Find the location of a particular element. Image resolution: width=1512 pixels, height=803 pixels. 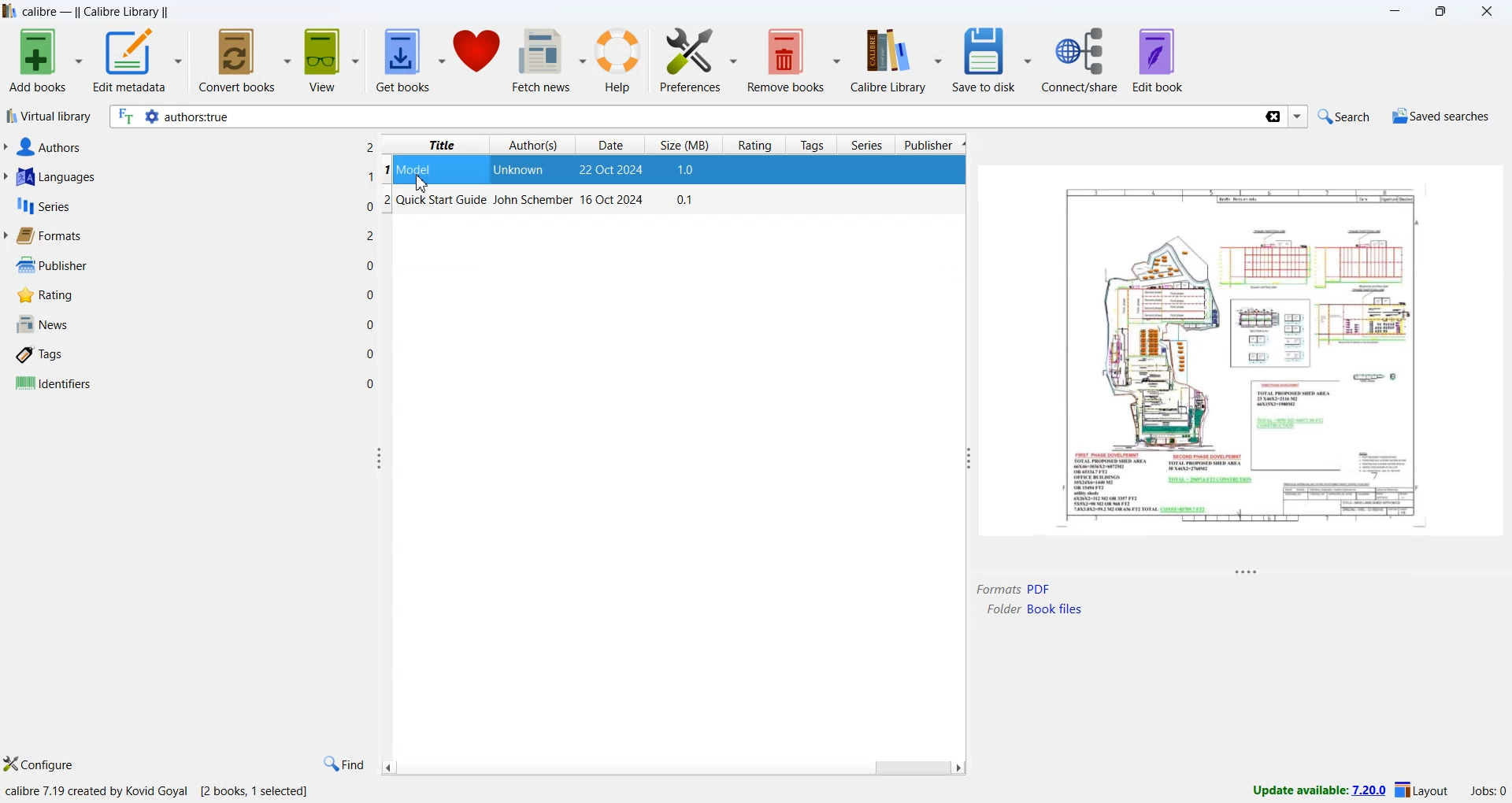

Model.pdf format is located at coordinates (1014, 589).